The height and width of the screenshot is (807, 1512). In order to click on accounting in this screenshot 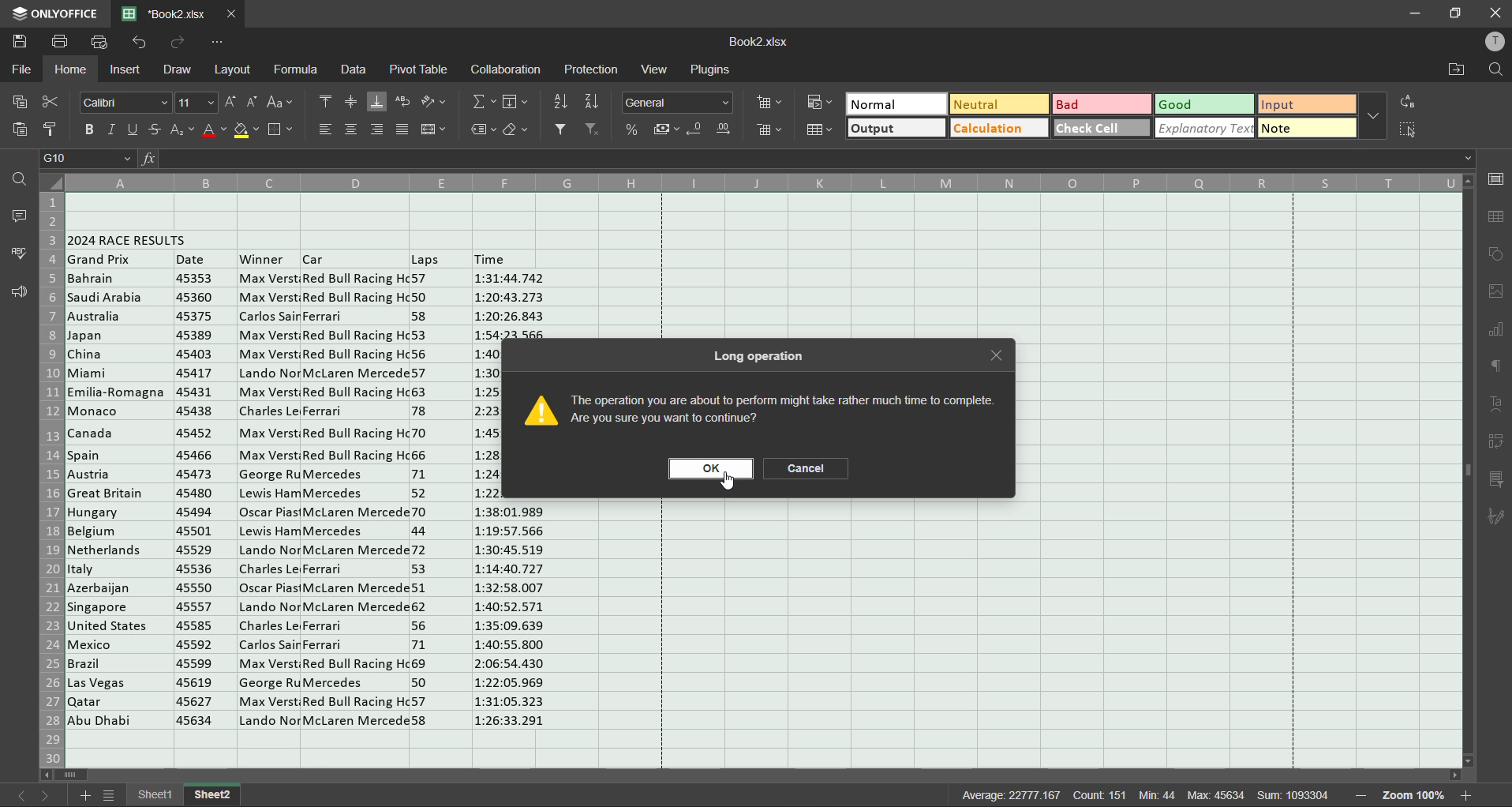, I will do `click(668, 128)`.